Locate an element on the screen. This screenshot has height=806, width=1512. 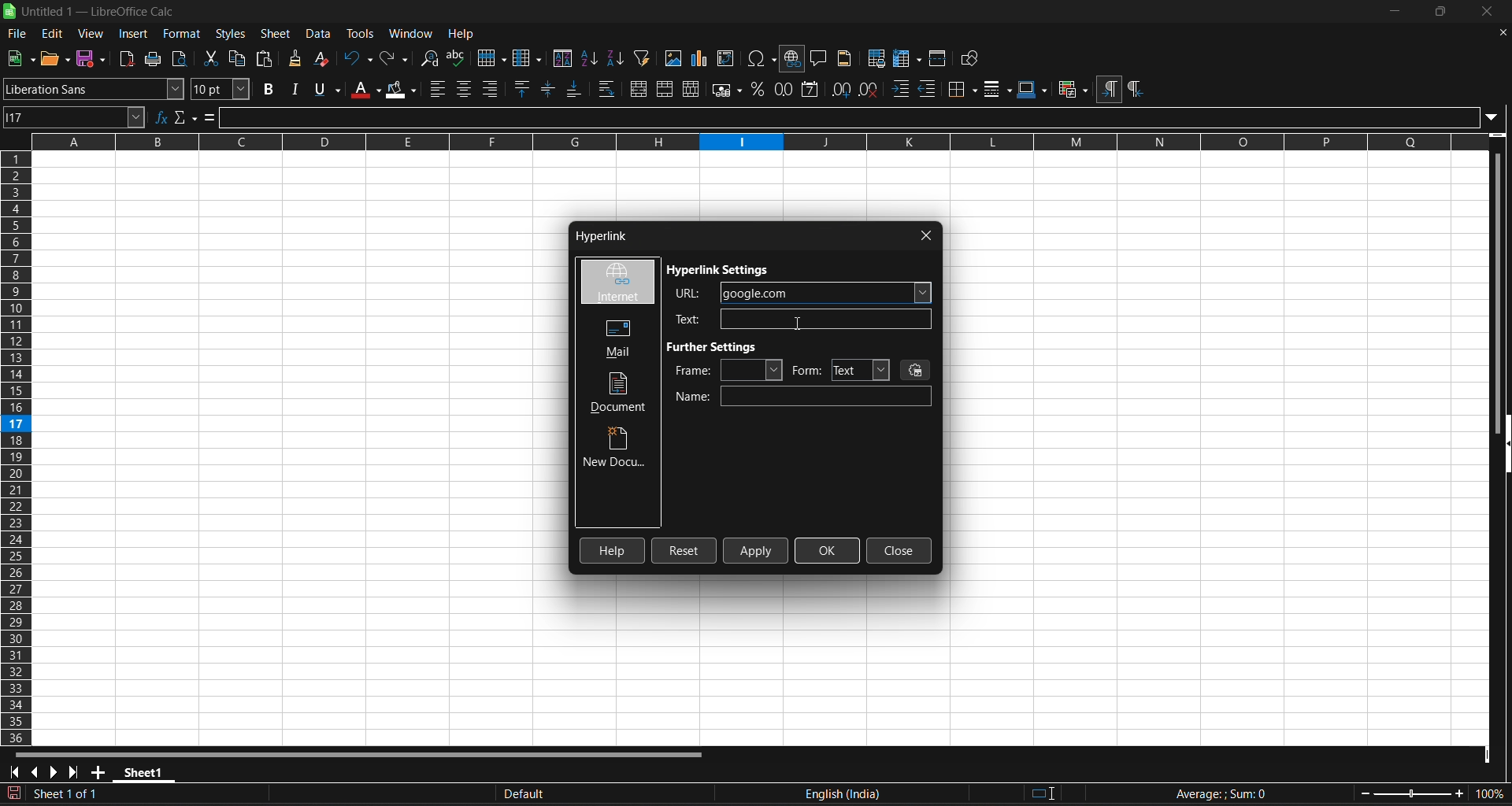
scroll to next sheet  is located at coordinates (53, 773).